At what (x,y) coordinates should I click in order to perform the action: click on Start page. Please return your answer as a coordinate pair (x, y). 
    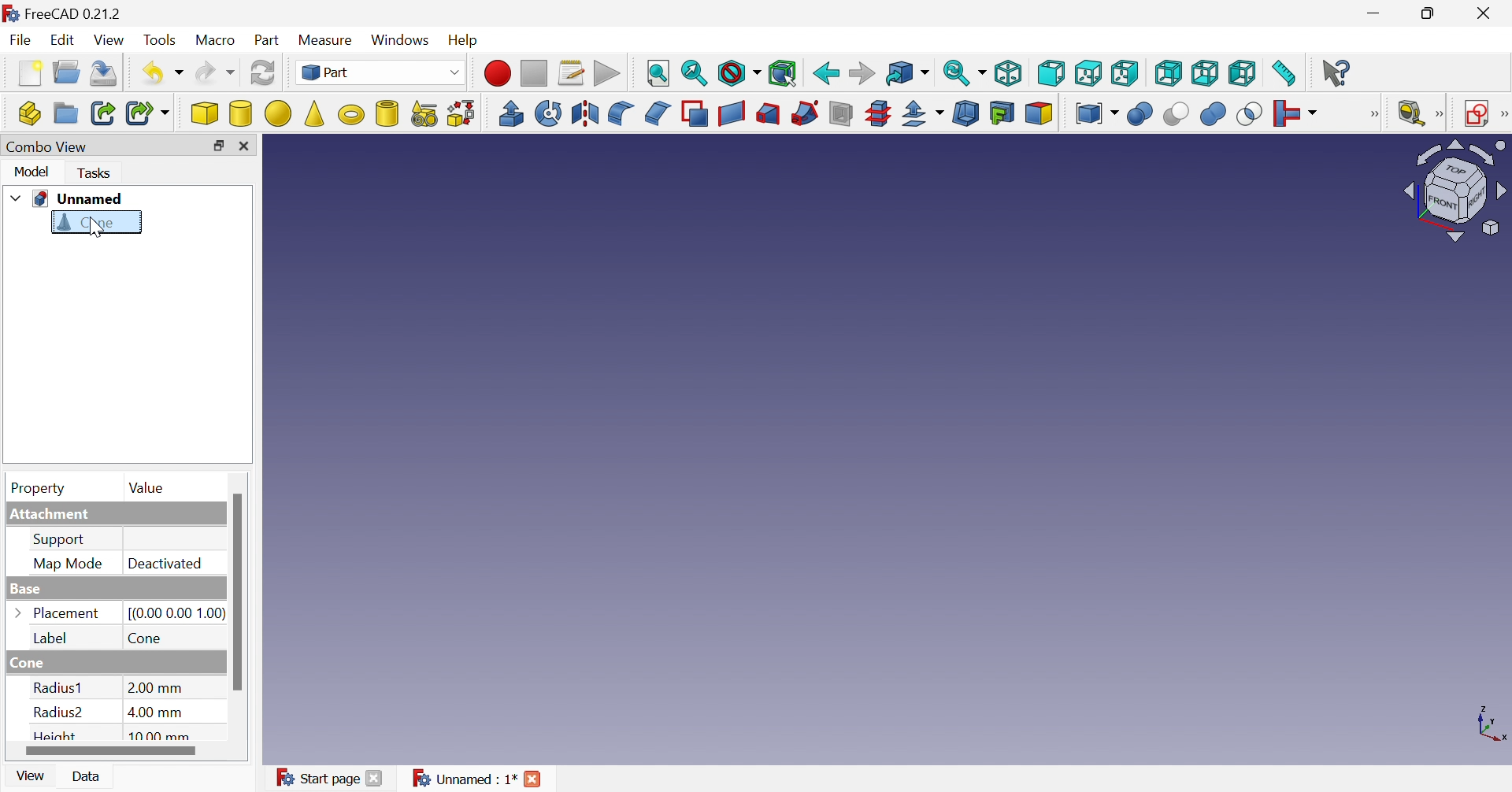
    Looking at the image, I should click on (317, 779).